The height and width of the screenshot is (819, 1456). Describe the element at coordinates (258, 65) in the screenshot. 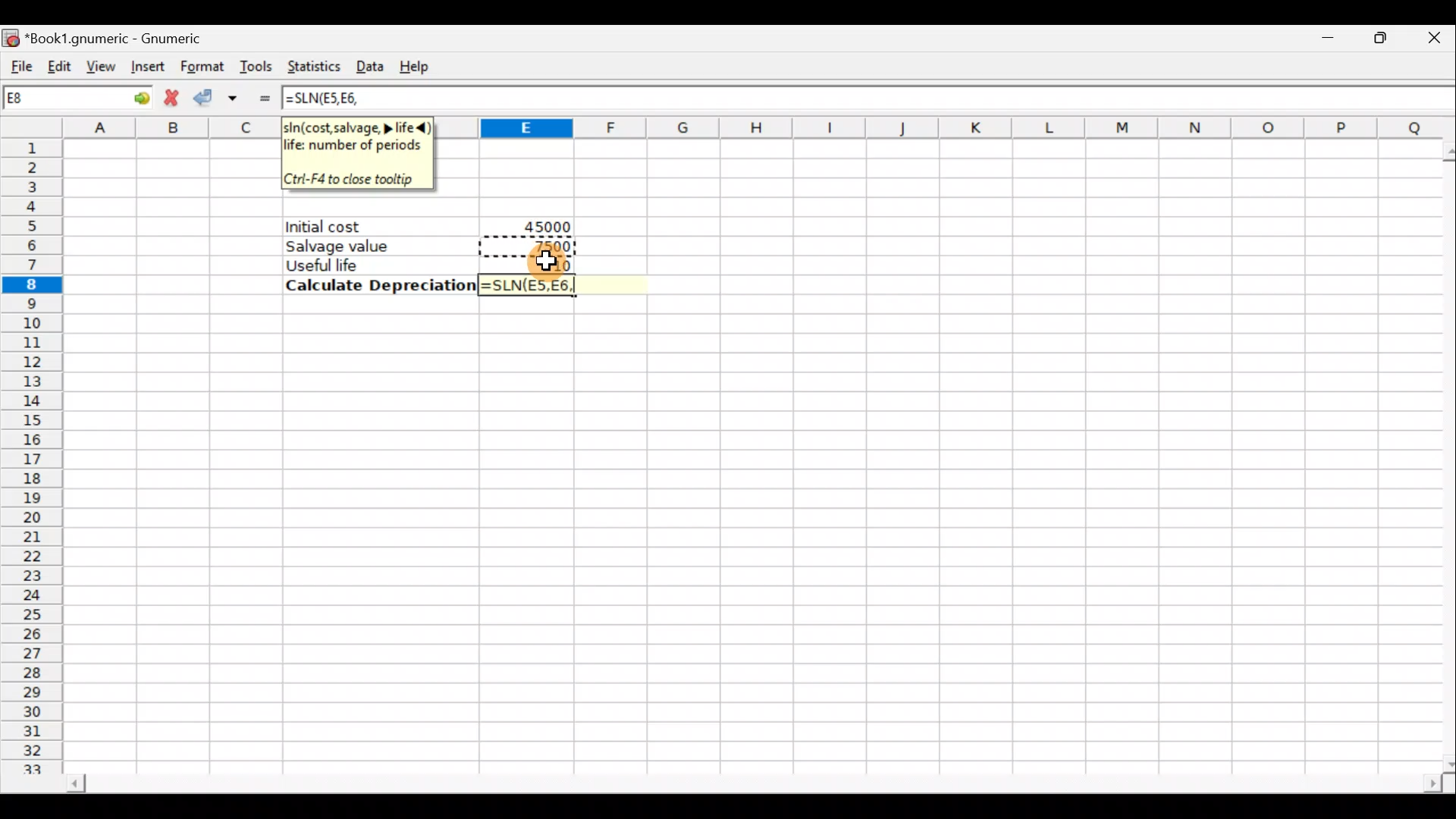

I see `Tools` at that location.